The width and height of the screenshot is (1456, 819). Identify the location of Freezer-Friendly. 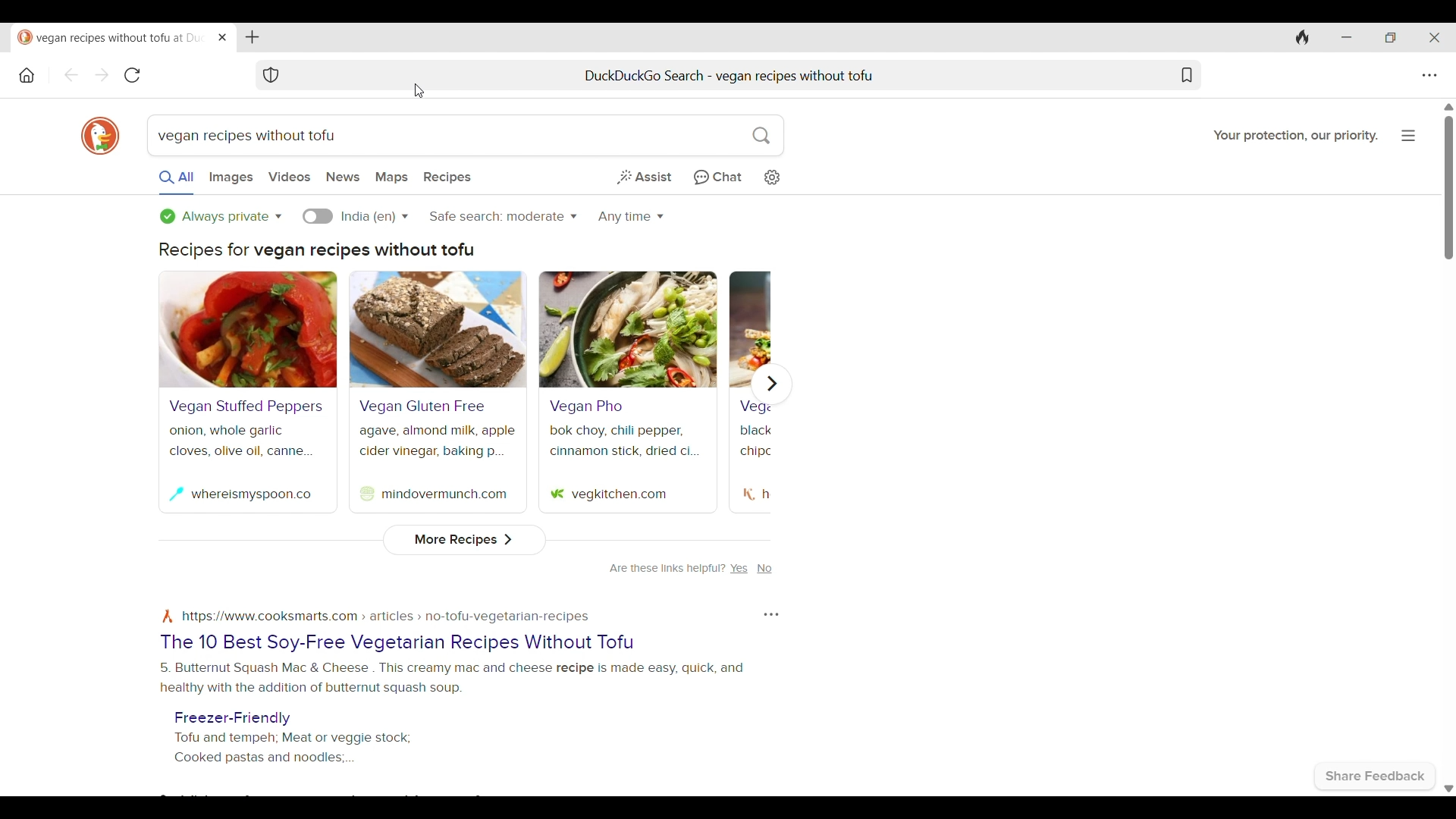
(232, 719).